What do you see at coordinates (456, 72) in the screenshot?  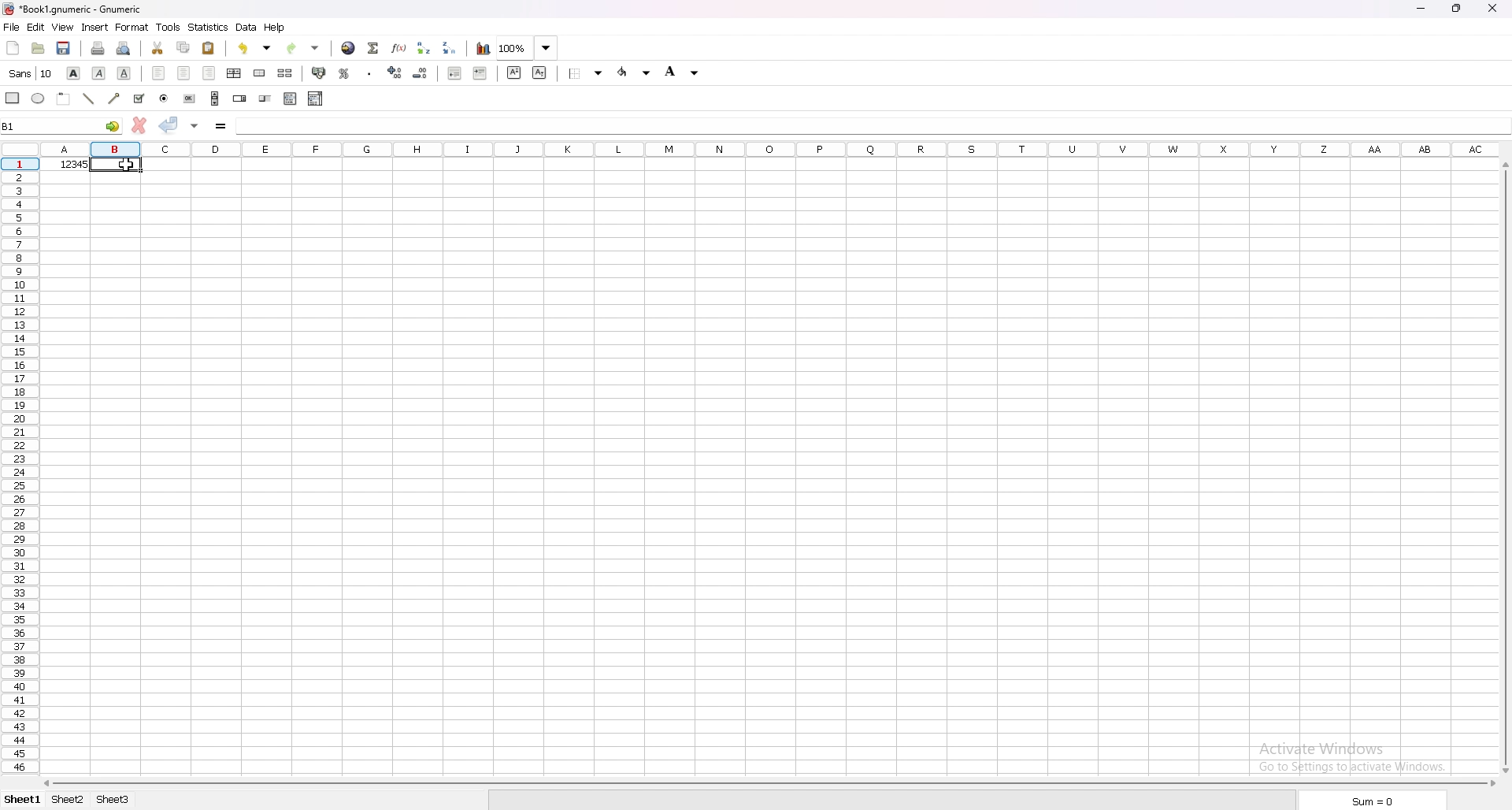 I see `decrease indent` at bounding box center [456, 72].